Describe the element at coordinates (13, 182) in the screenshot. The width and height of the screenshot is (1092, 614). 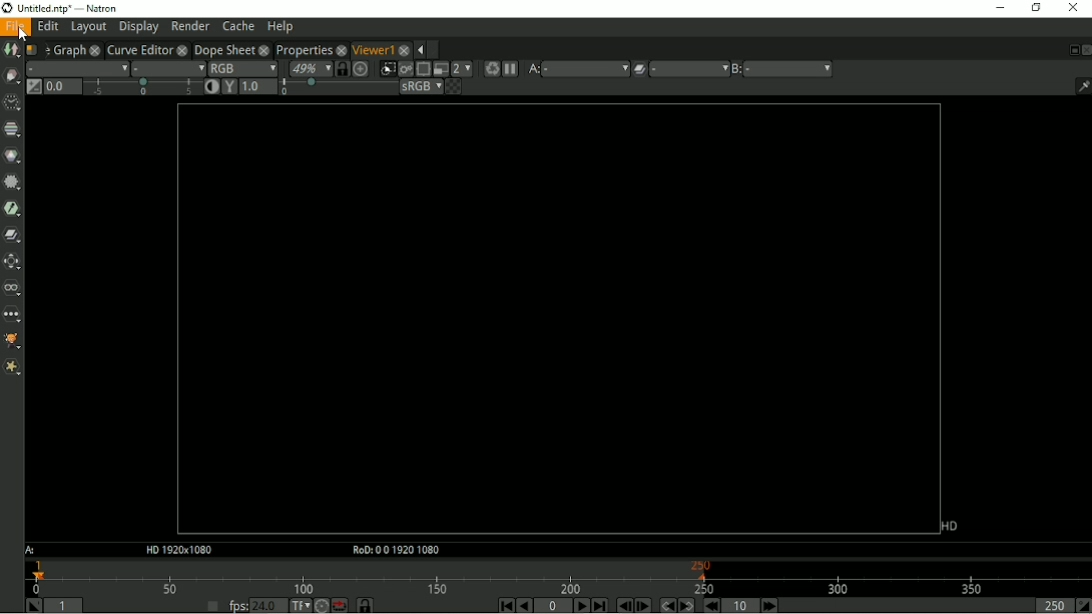
I see `Filter` at that location.